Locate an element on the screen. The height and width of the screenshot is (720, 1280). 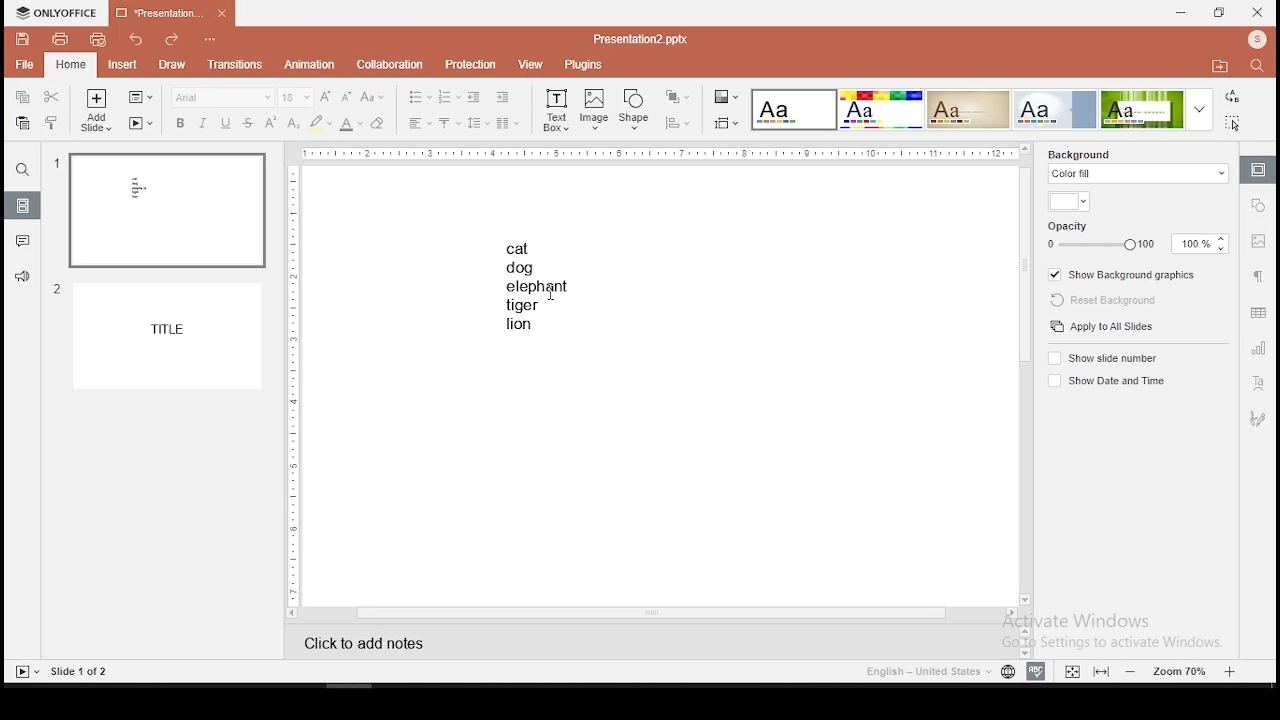
font size is located at coordinates (297, 97).